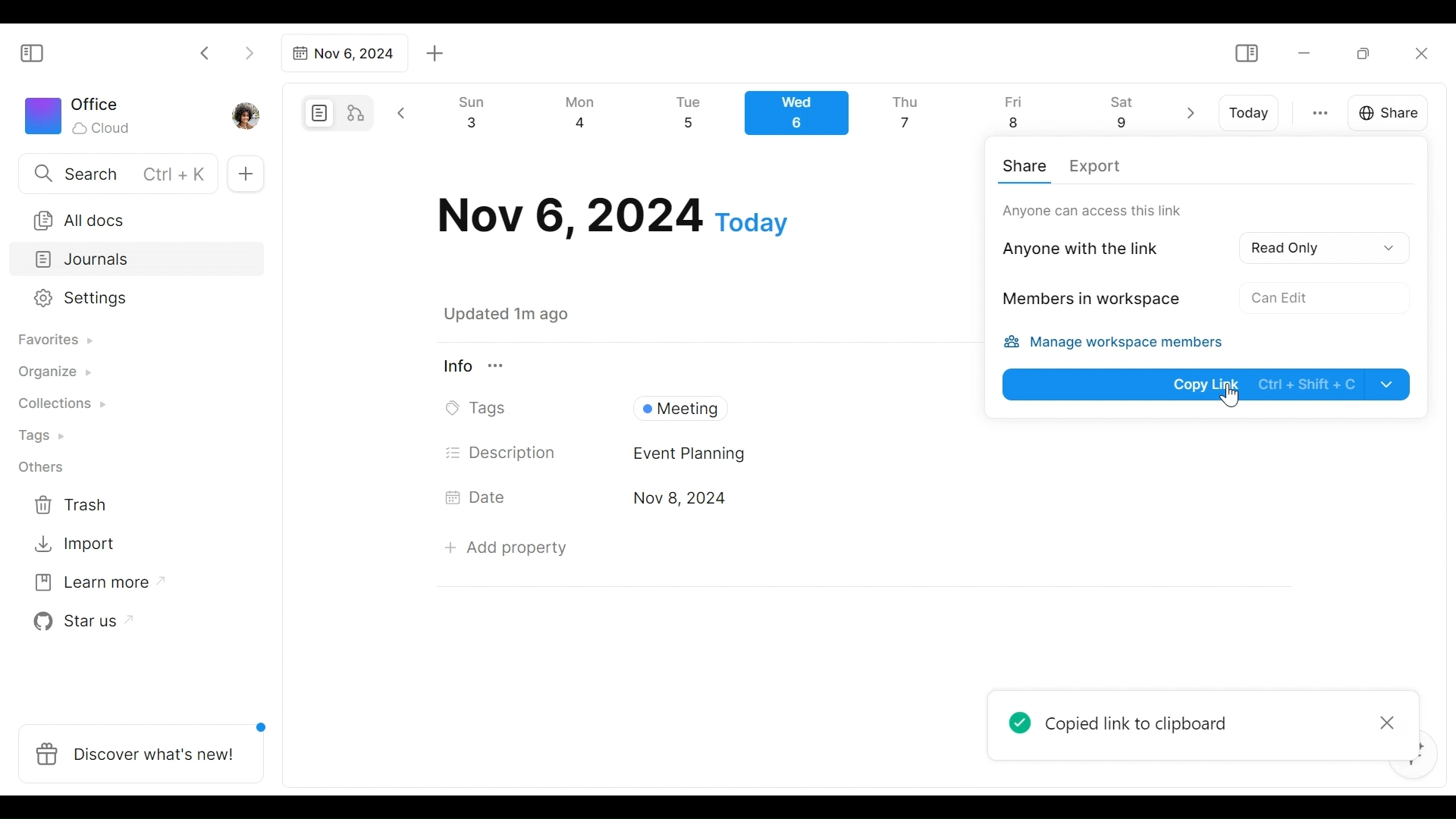  I want to click on Others, so click(42, 467).